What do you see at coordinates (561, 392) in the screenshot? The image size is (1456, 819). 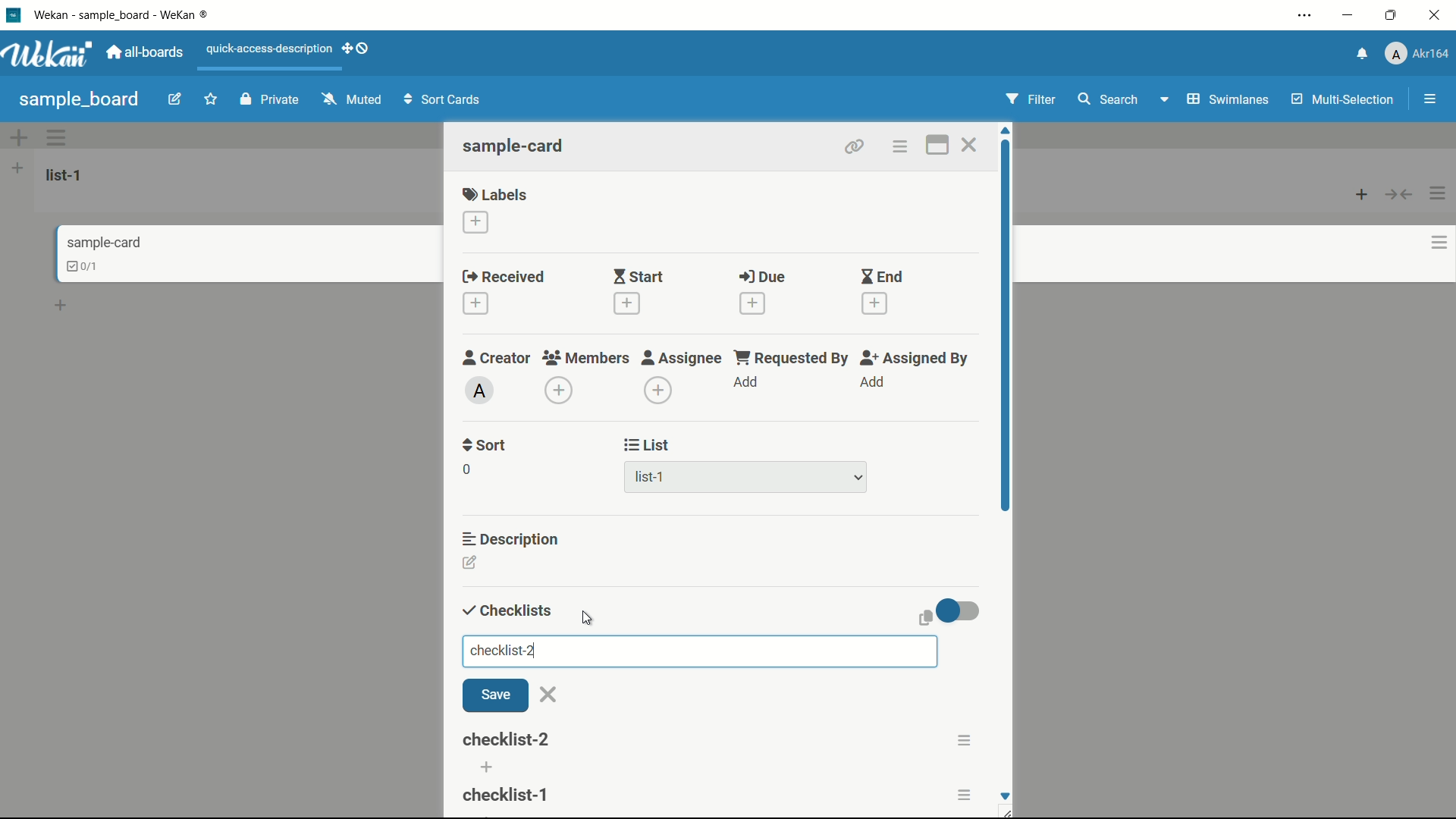 I see `add members` at bounding box center [561, 392].